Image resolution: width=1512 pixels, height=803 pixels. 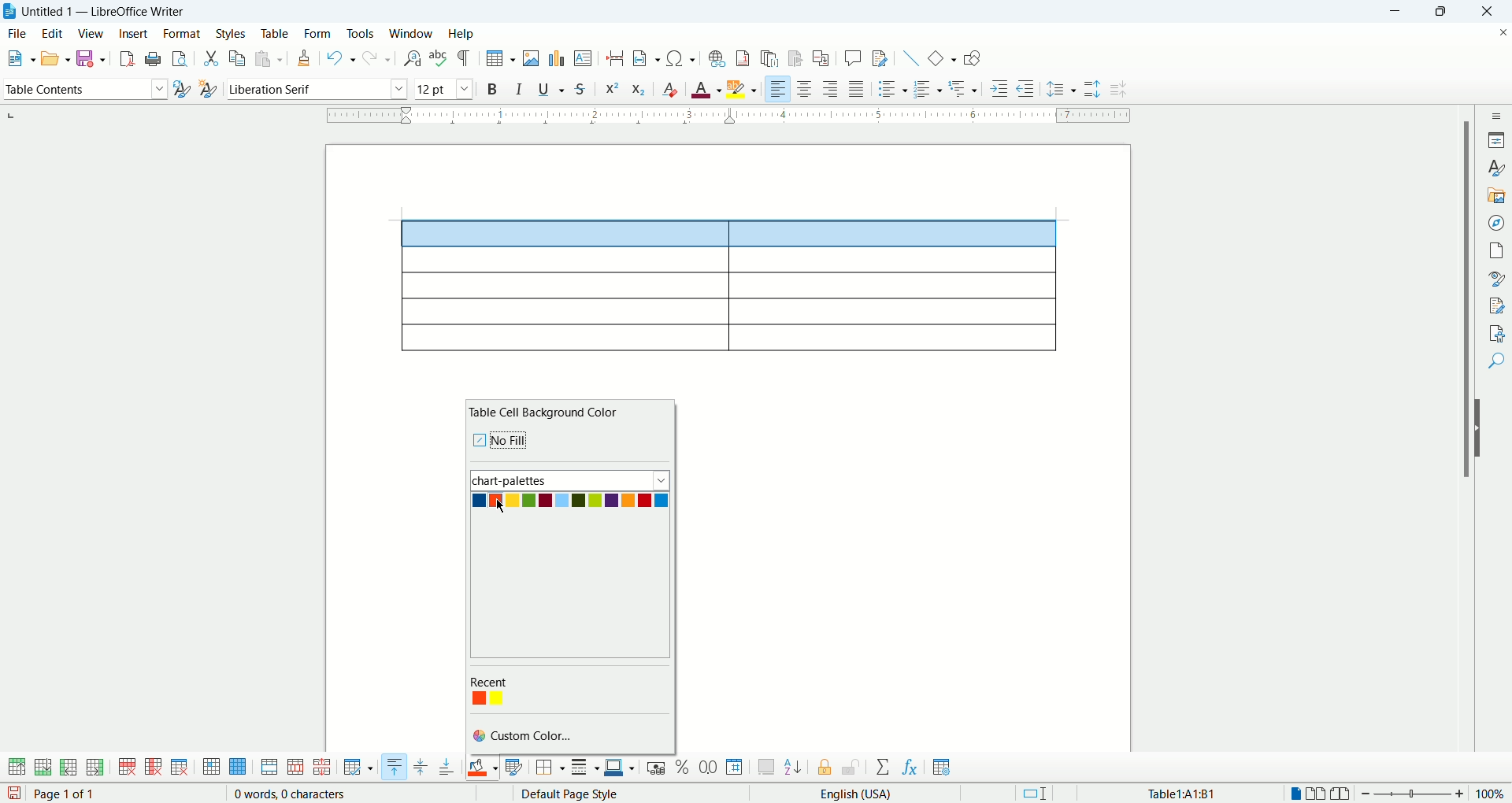 What do you see at coordinates (891, 794) in the screenshot?
I see `english` at bounding box center [891, 794].